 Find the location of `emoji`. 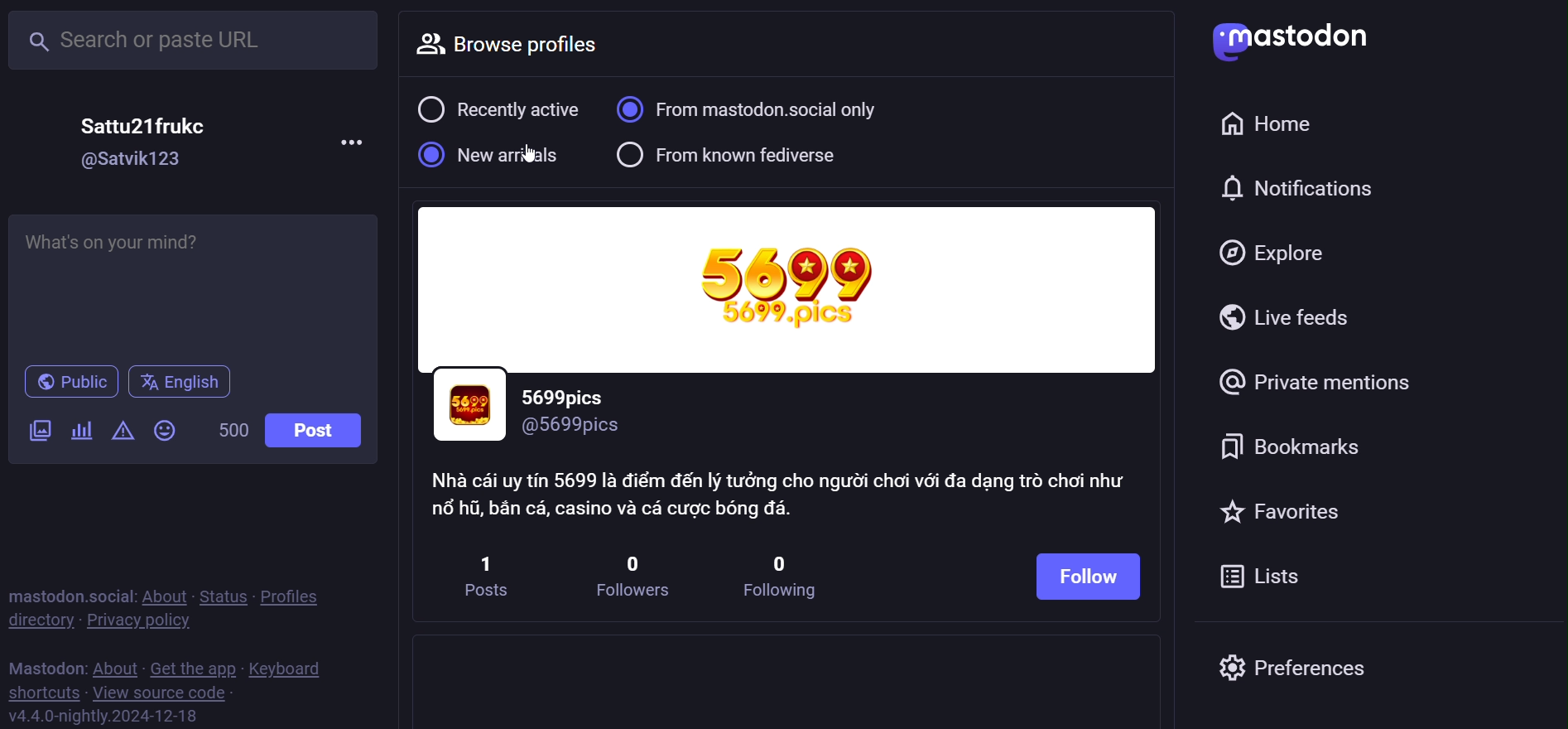

emoji is located at coordinates (164, 430).